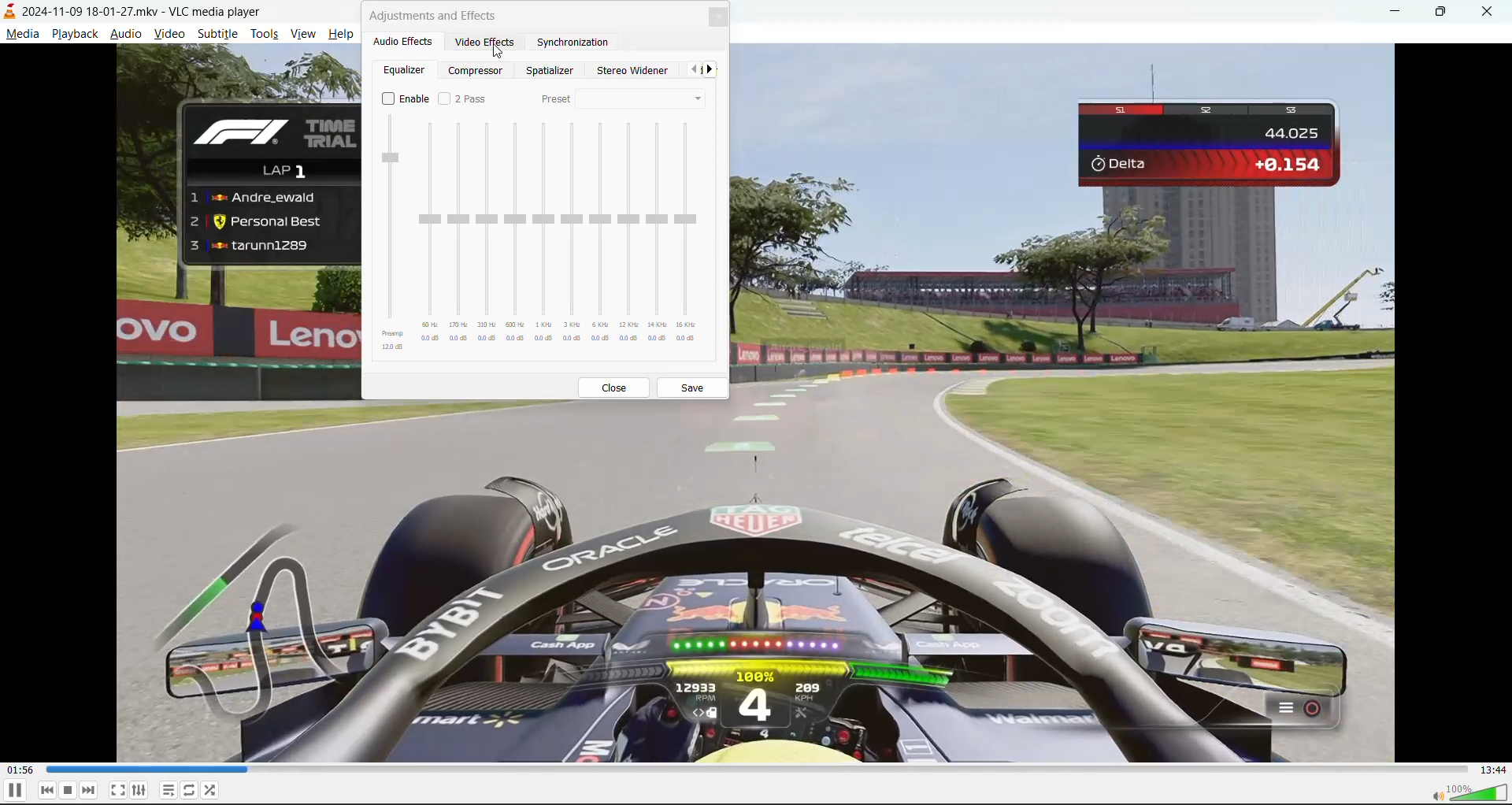  I want to click on equalizer presets, so click(539, 235).